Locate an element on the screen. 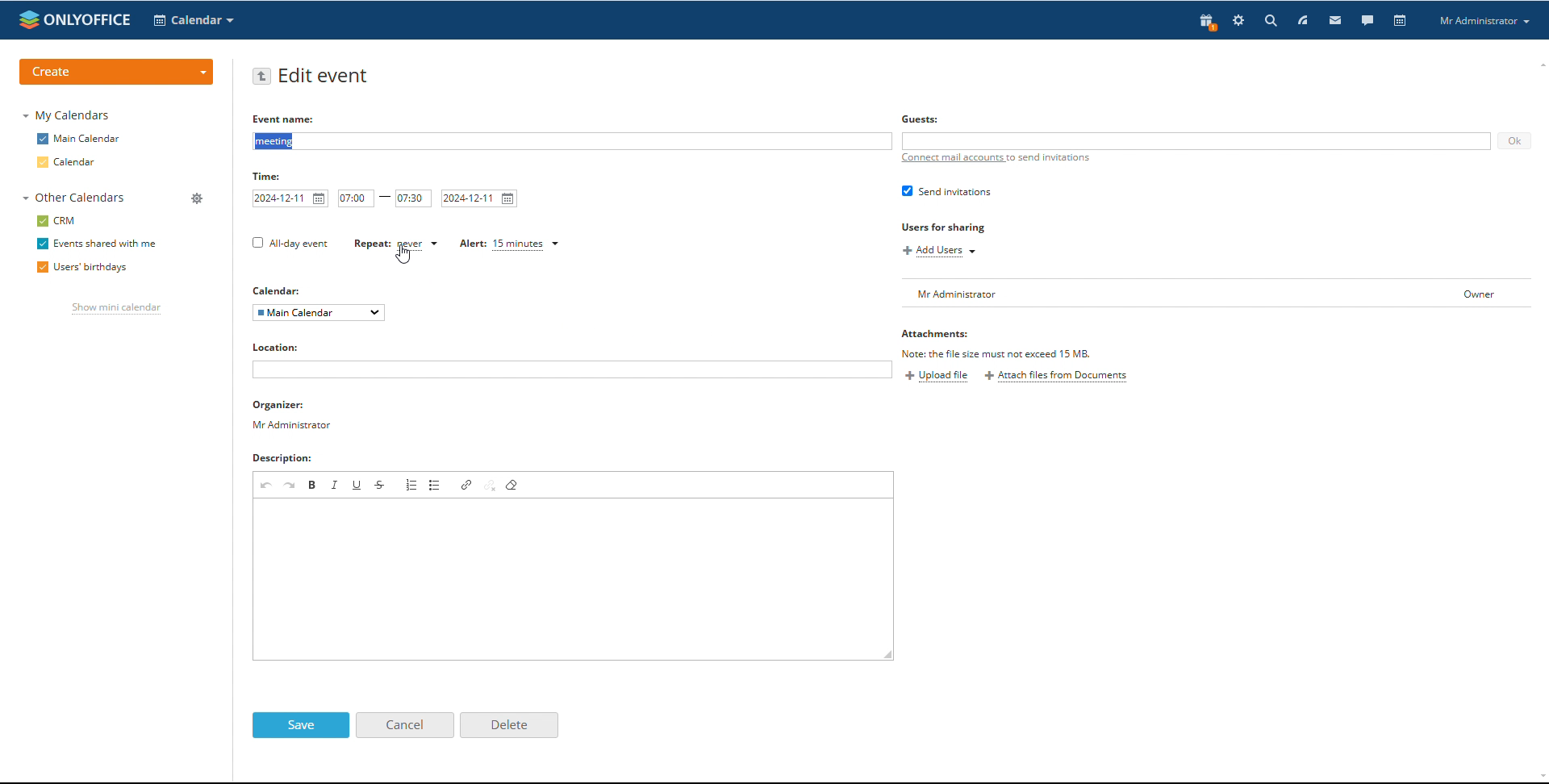 Image resolution: width=1549 pixels, height=784 pixels. upload file is located at coordinates (937, 377).